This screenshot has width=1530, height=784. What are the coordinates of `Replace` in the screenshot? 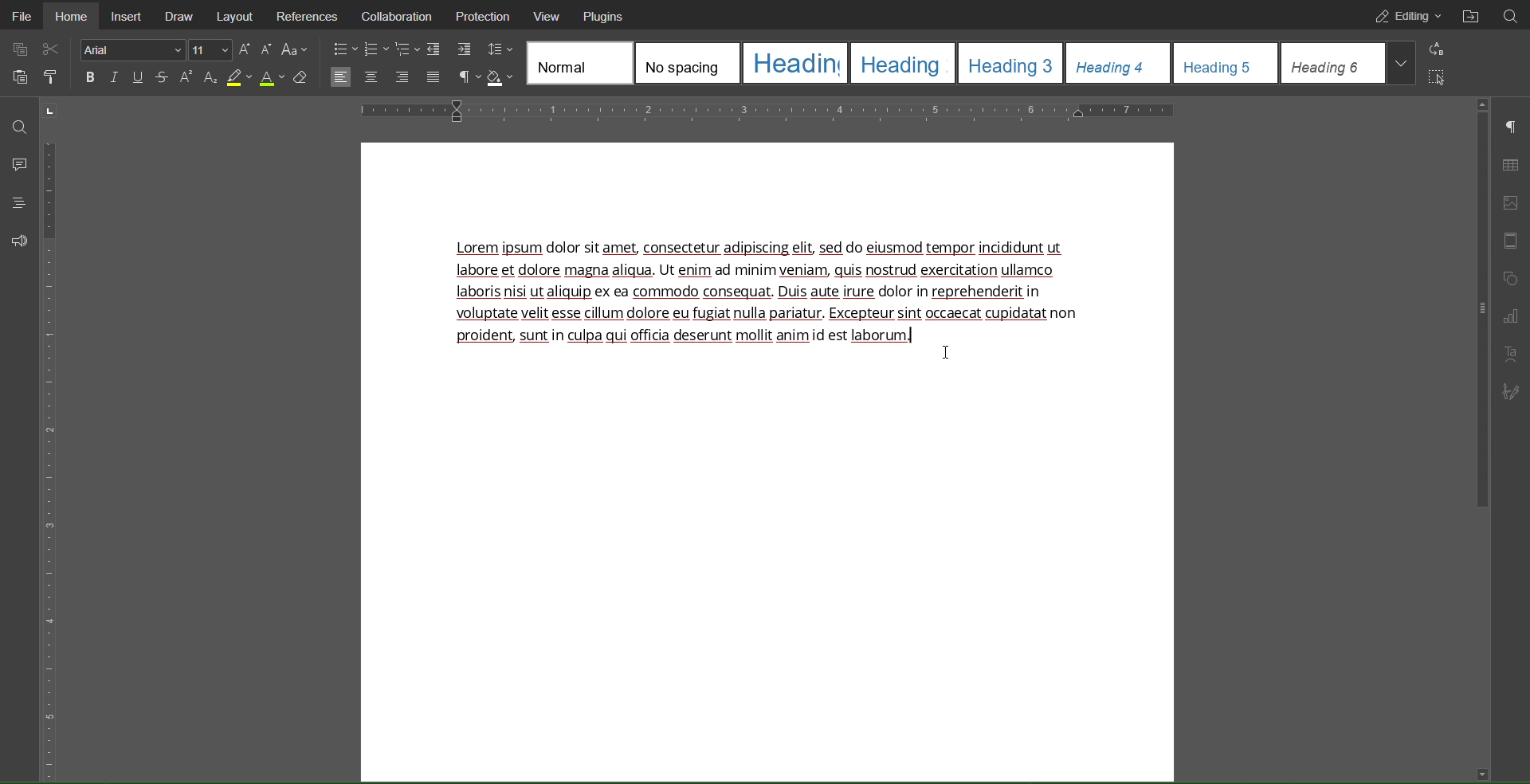 It's located at (1437, 49).